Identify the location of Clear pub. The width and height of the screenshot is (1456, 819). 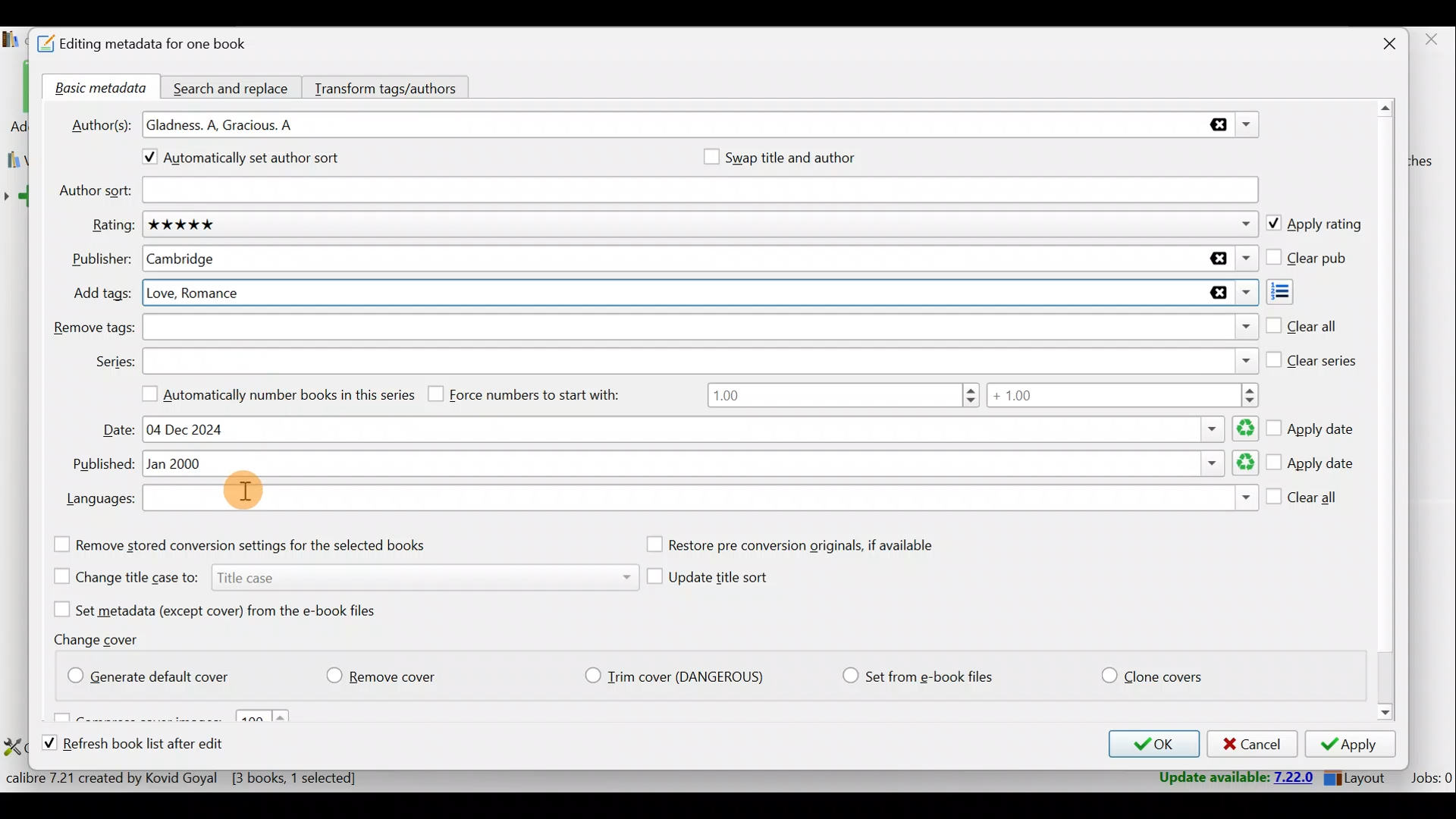
(1310, 259).